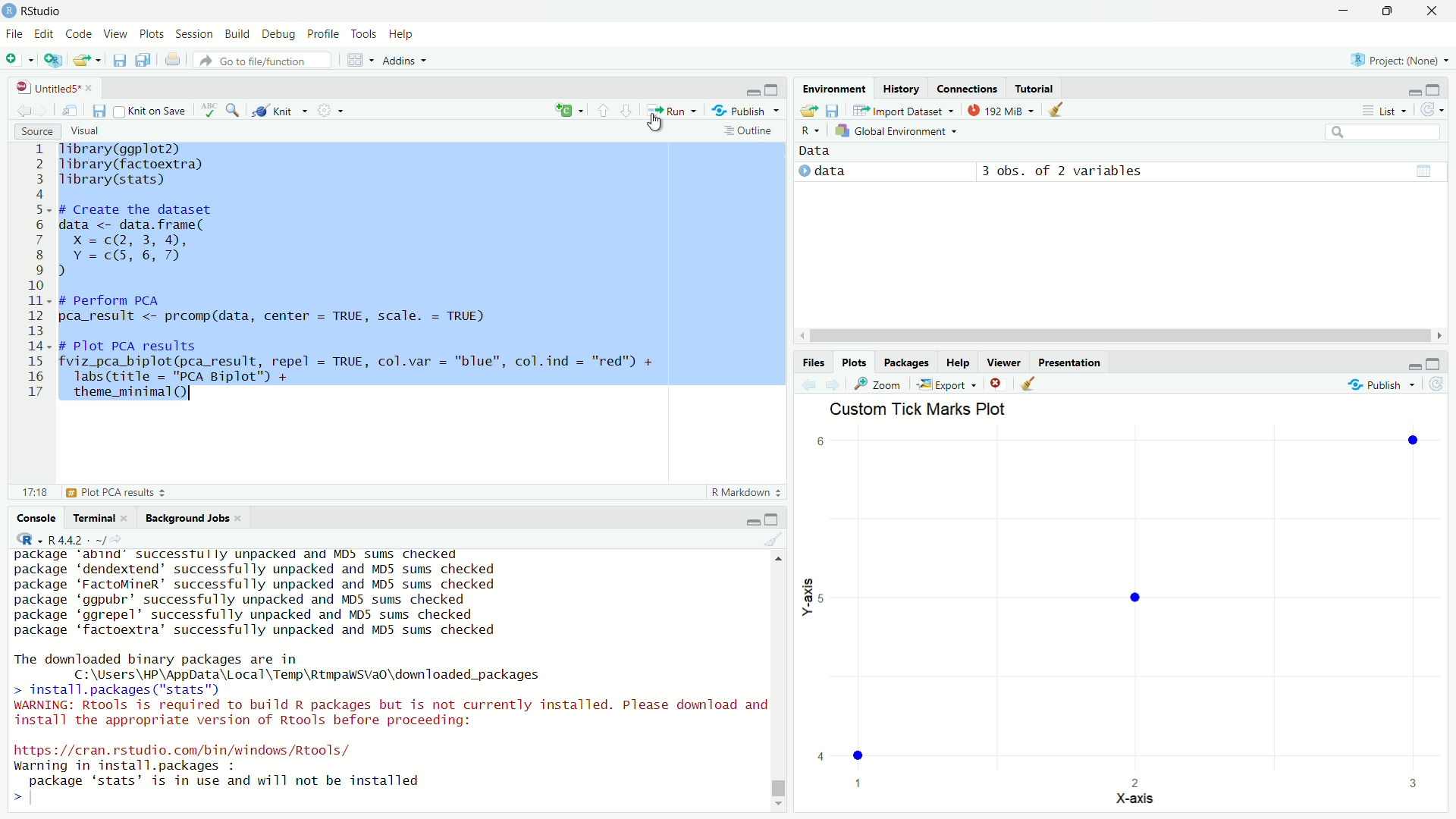 The width and height of the screenshot is (1456, 819). Describe the element at coordinates (278, 111) in the screenshot. I see `knit` at that location.